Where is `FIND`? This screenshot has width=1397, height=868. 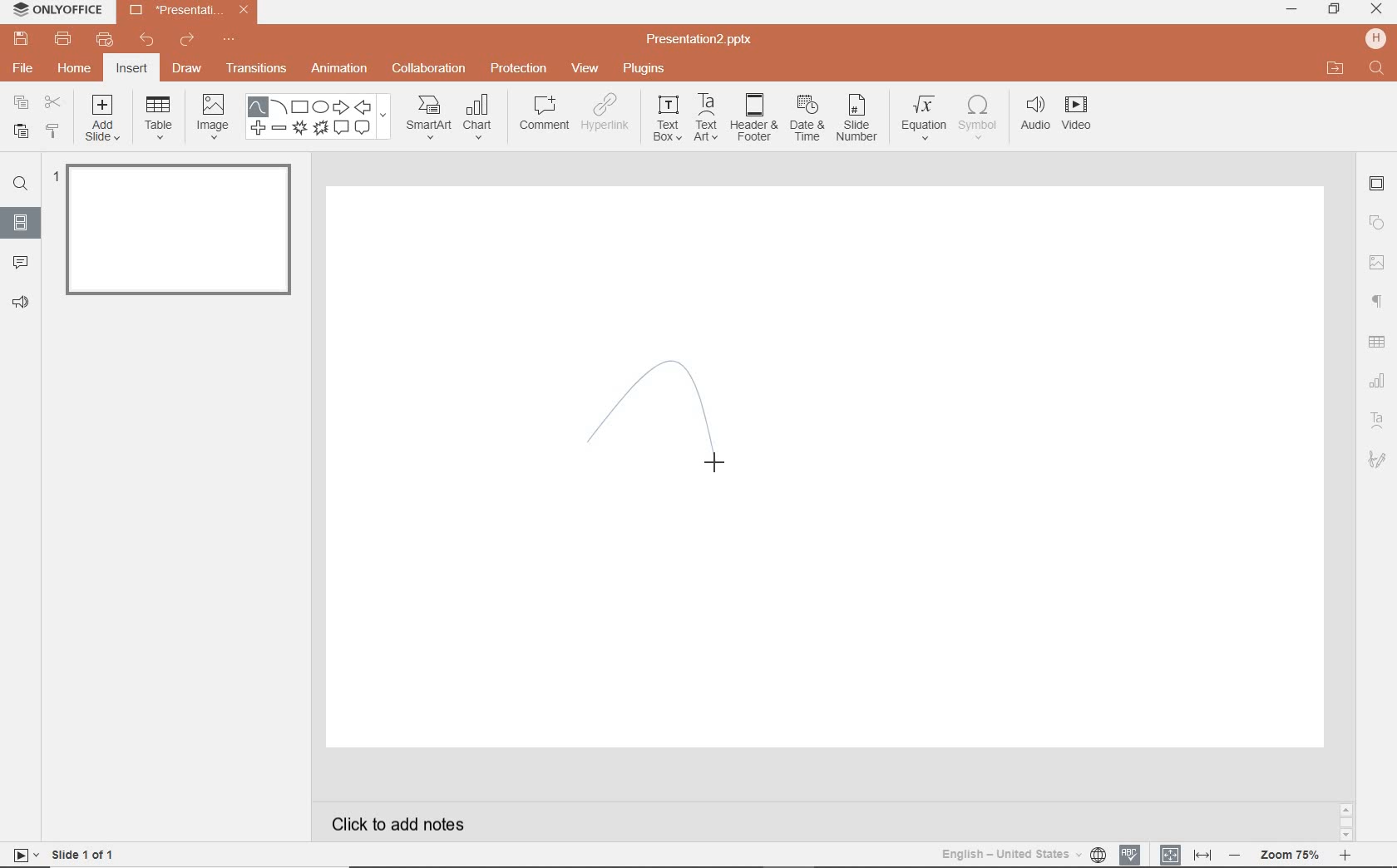 FIND is located at coordinates (1376, 69).